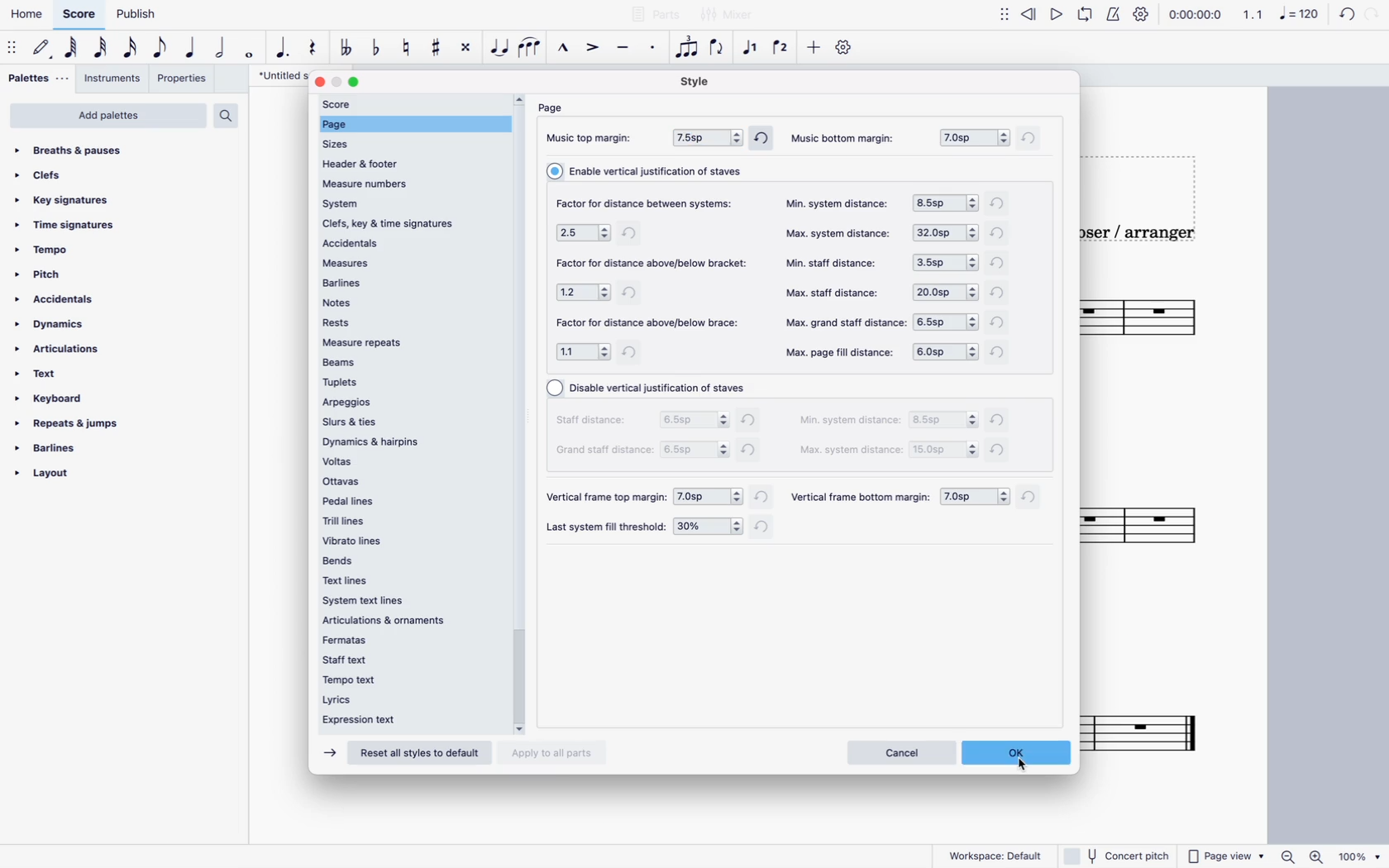 This screenshot has height=868, width=1389. Describe the element at coordinates (12, 49) in the screenshot. I see `move` at that location.